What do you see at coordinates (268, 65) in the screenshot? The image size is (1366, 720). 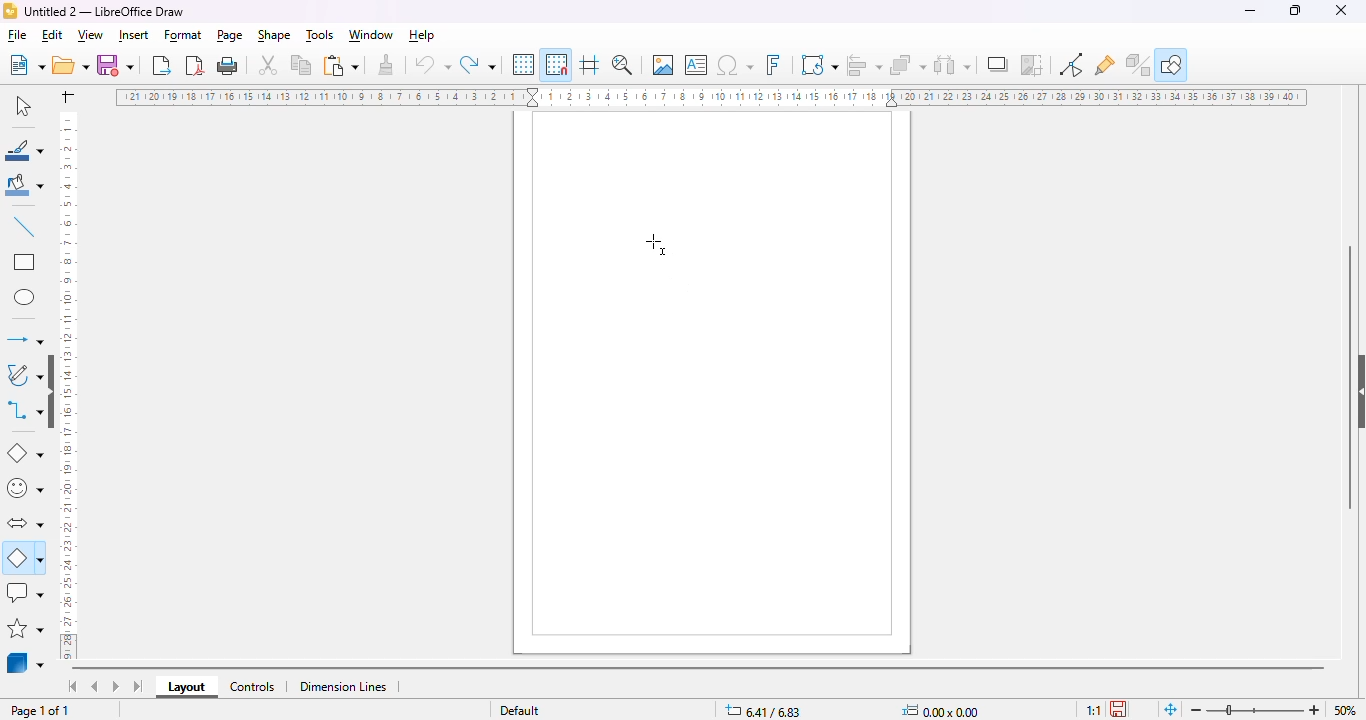 I see `cut` at bounding box center [268, 65].